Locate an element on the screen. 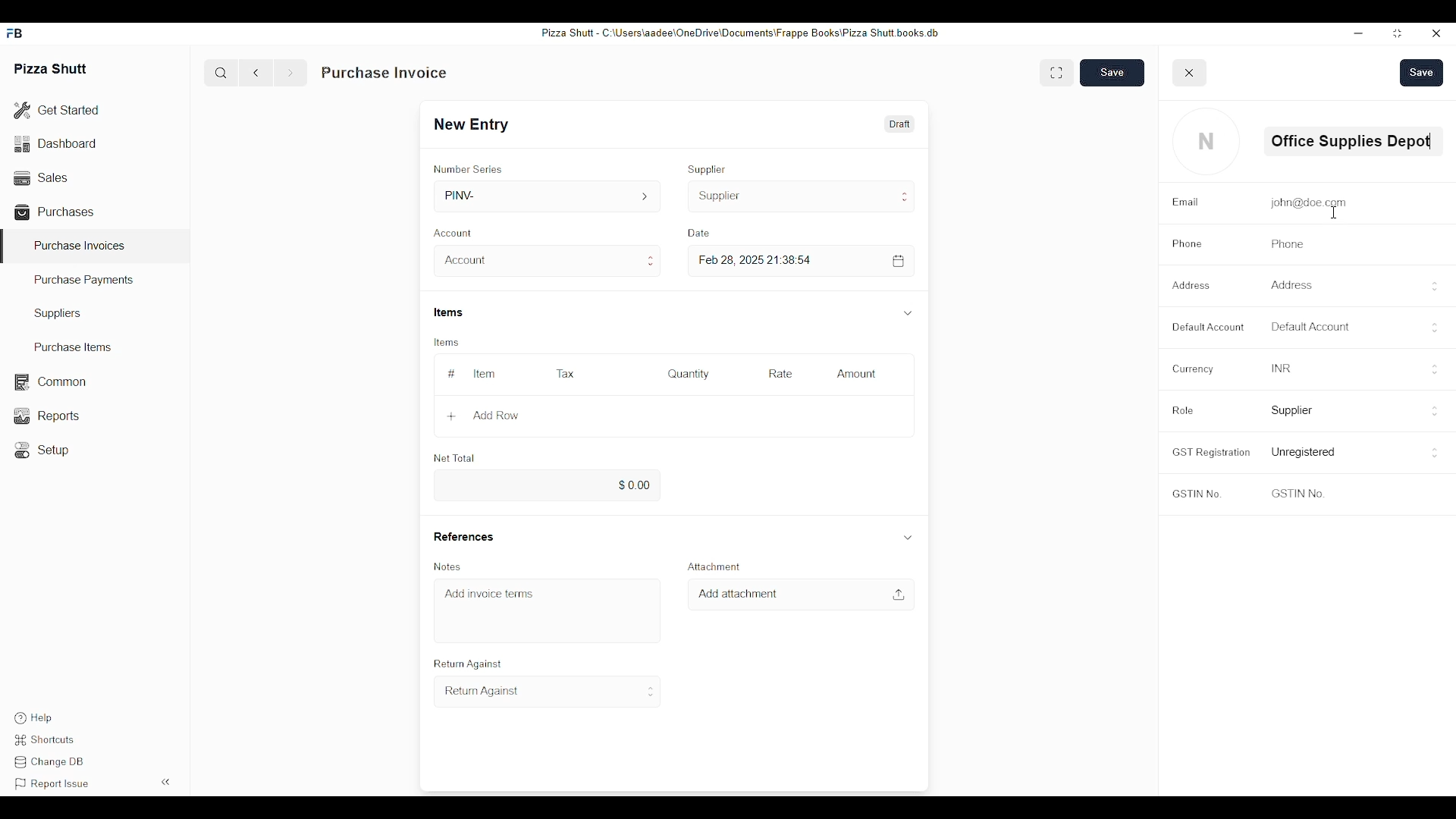 The width and height of the screenshot is (1456, 819). Items is located at coordinates (444, 343).